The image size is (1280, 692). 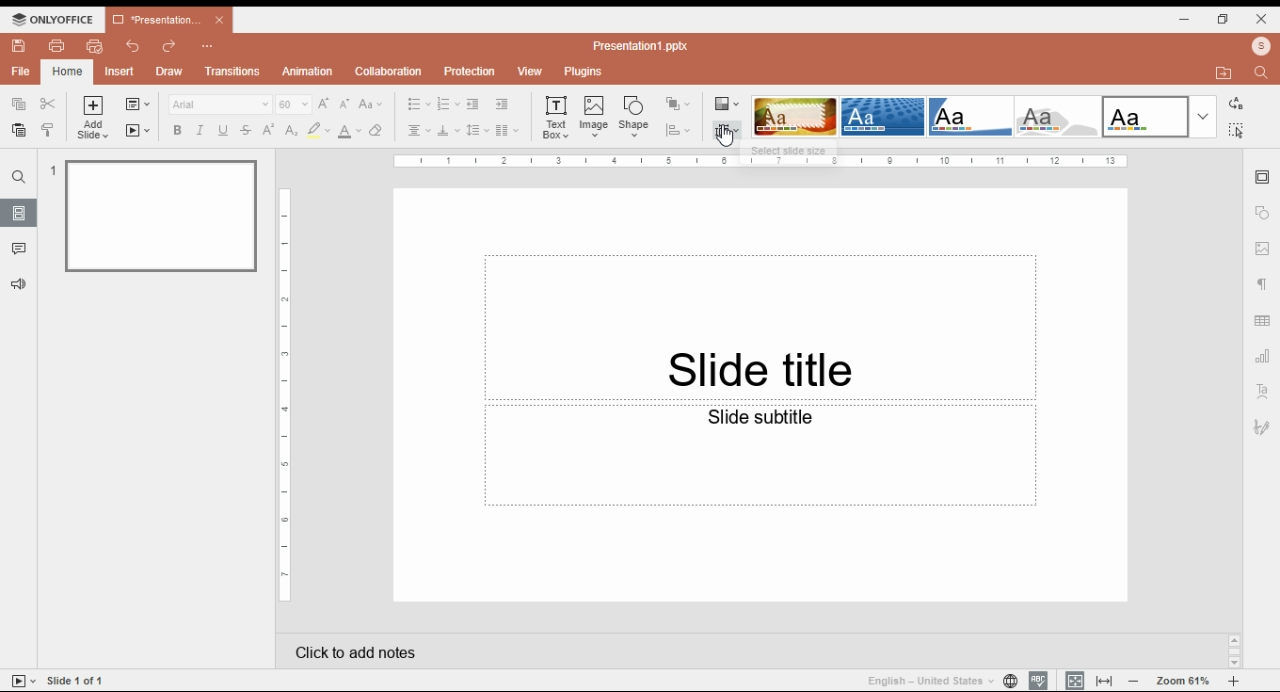 What do you see at coordinates (795, 116) in the screenshot?
I see `slide them option` at bounding box center [795, 116].